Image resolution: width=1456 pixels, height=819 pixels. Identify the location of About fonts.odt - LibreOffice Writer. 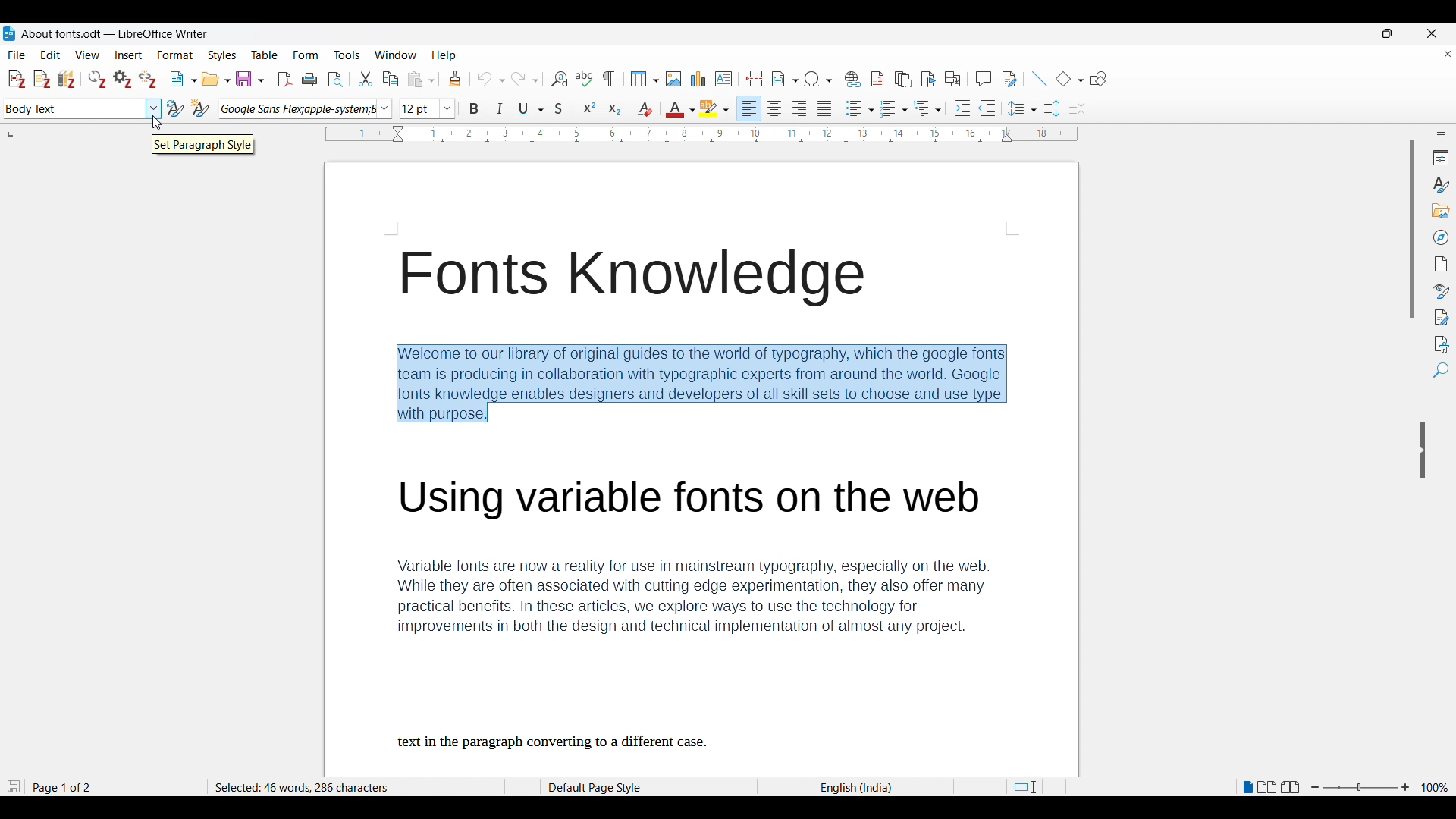
(115, 33).